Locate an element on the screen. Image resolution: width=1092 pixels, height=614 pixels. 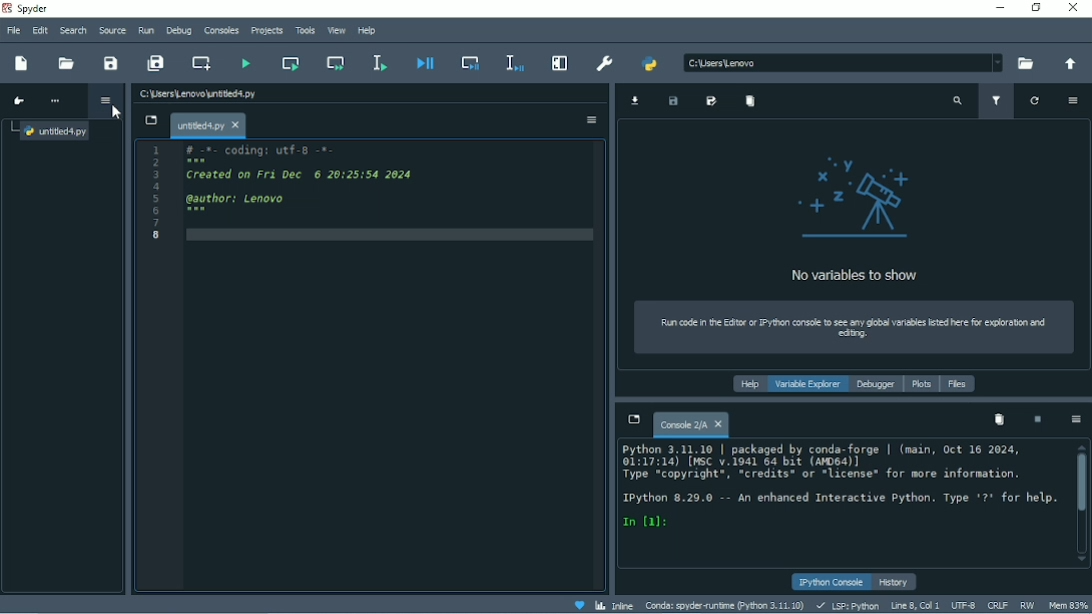
scroll up is located at coordinates (1083, 445).